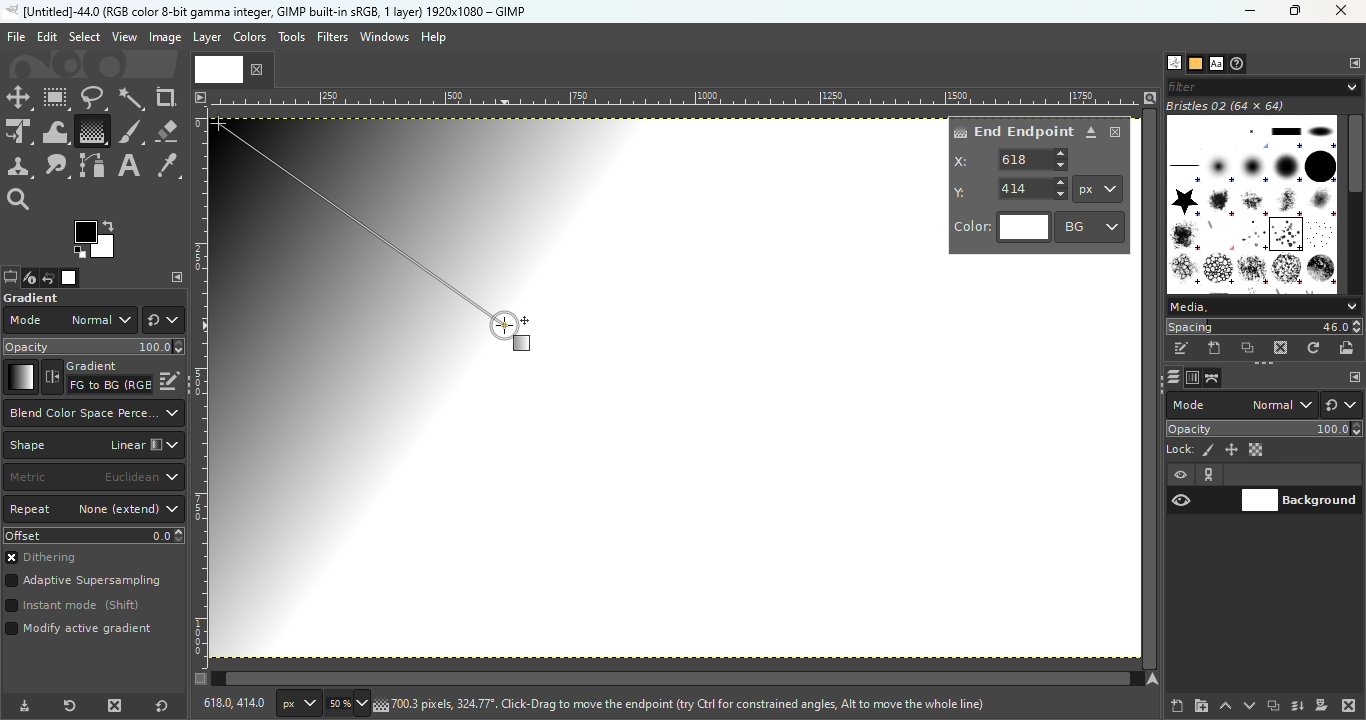  Describe the element at coordinates (94, 510) in the screenshot. I see `Repeat` at that location.